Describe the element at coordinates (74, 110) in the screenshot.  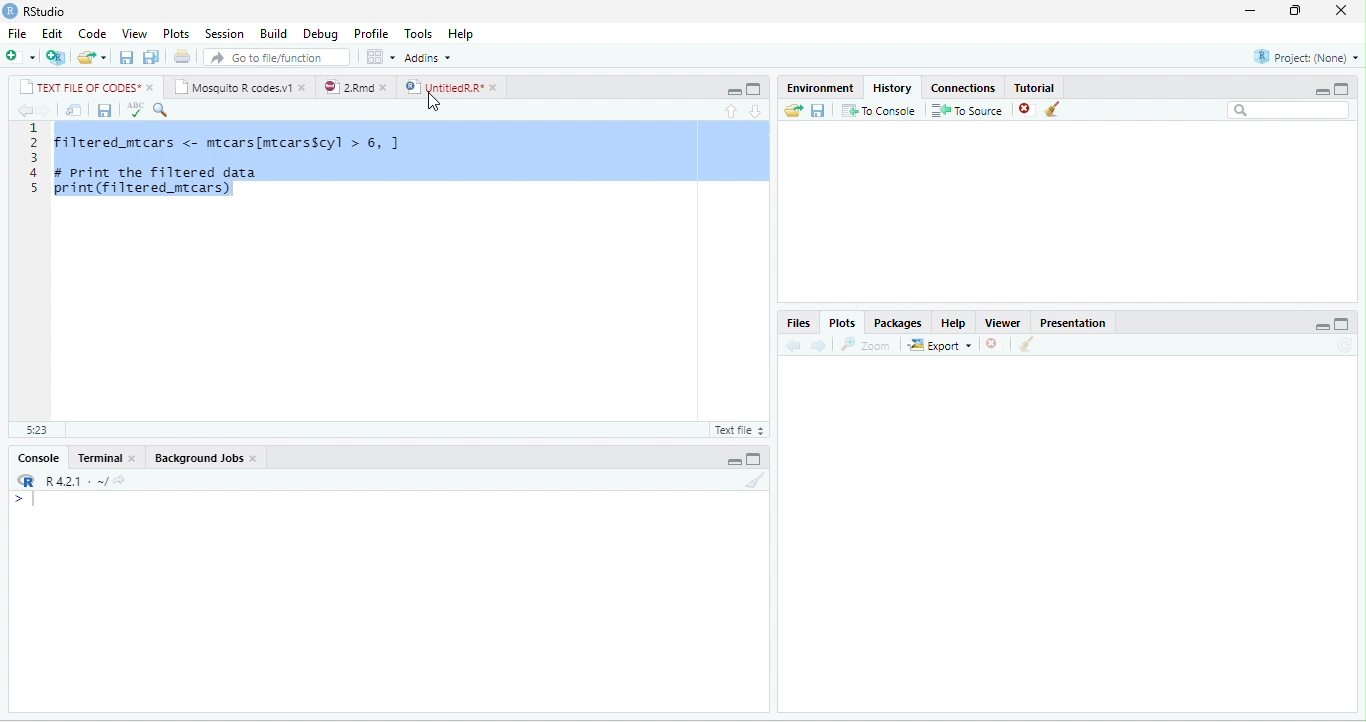
I see `show in new window` at that location.